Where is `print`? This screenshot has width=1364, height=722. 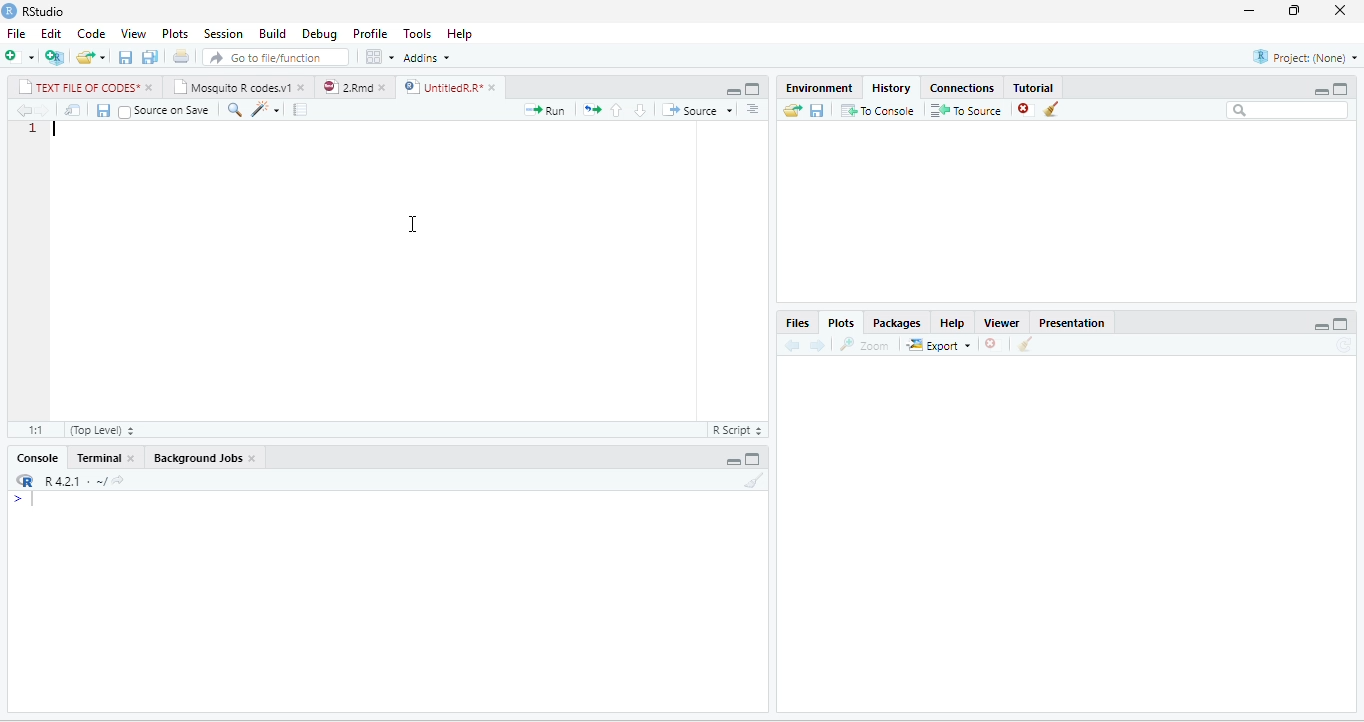
print is located at coordinates (180, 56).